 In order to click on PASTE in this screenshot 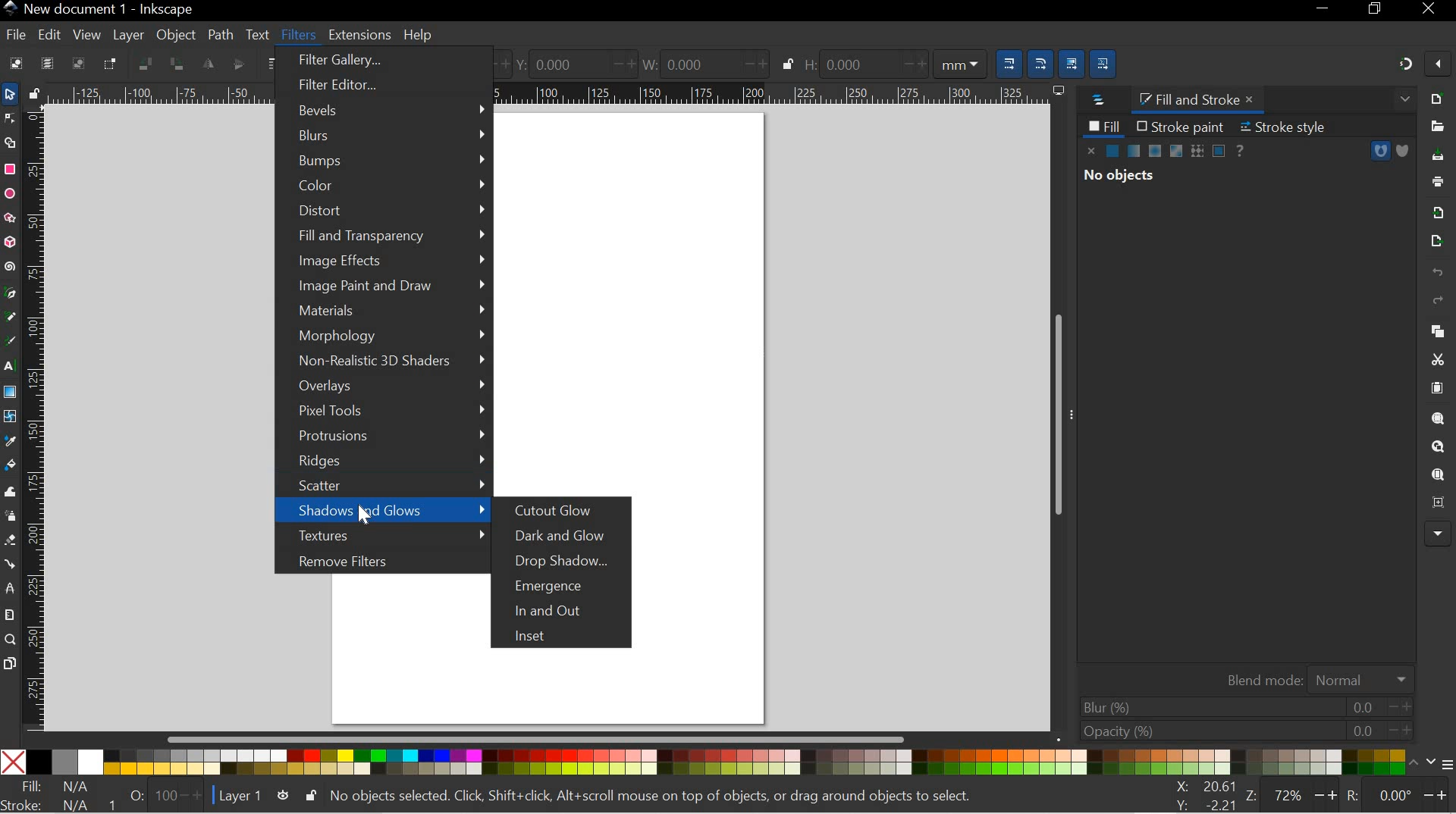, I will do `click(1437, 388)`.